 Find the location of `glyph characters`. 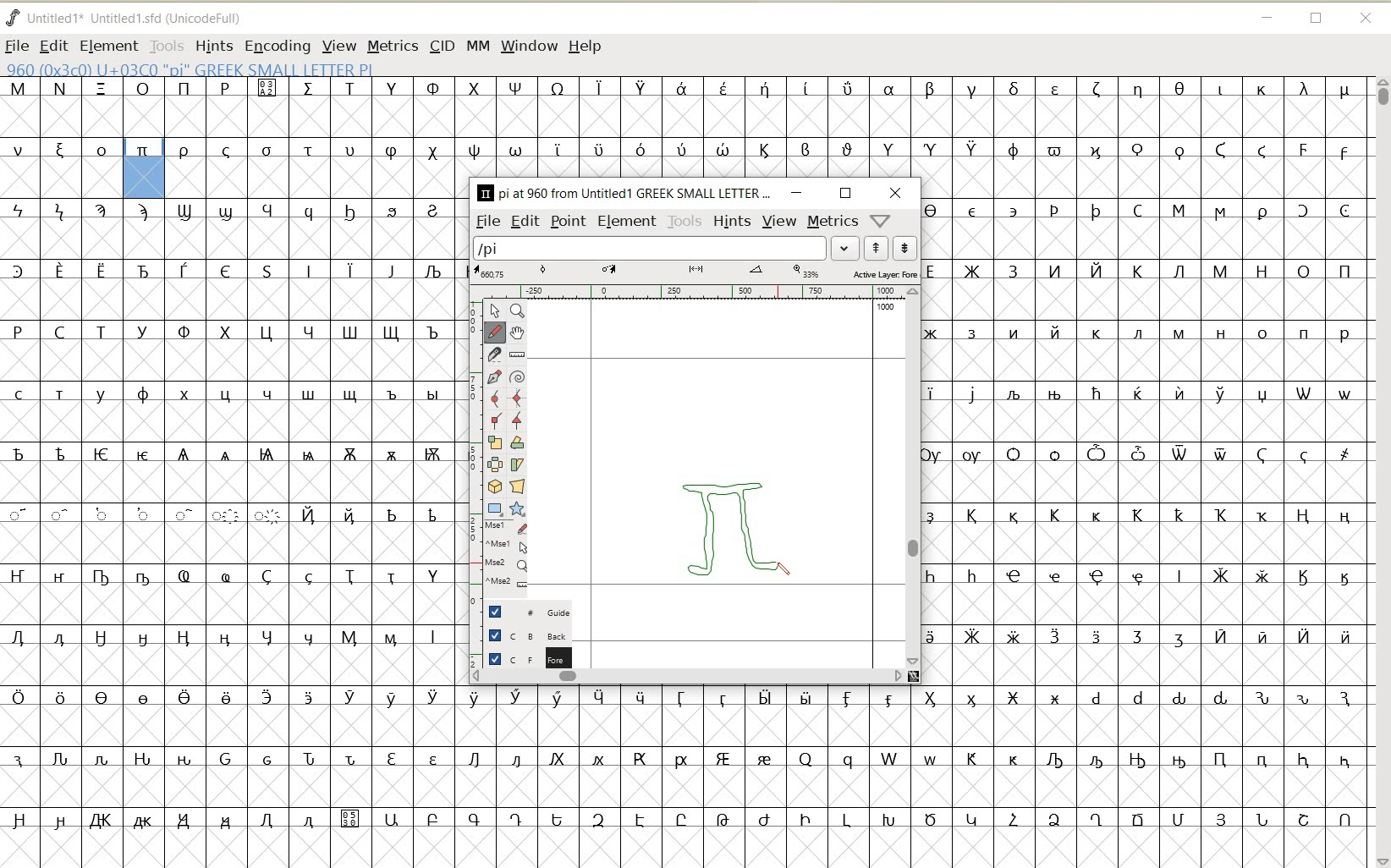

glyph characters is located at coordinates (914, 125).